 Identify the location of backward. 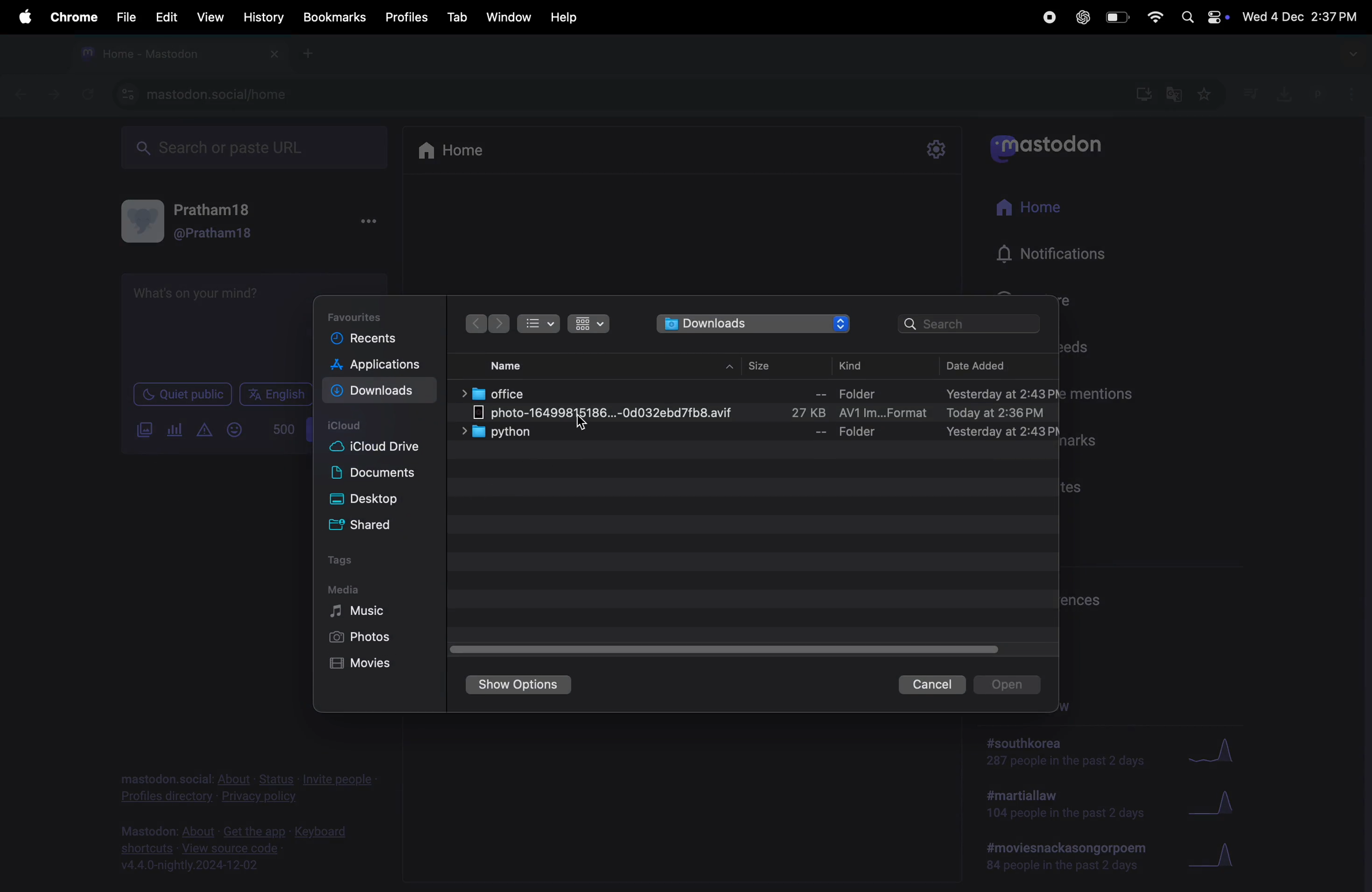
(21, 92).